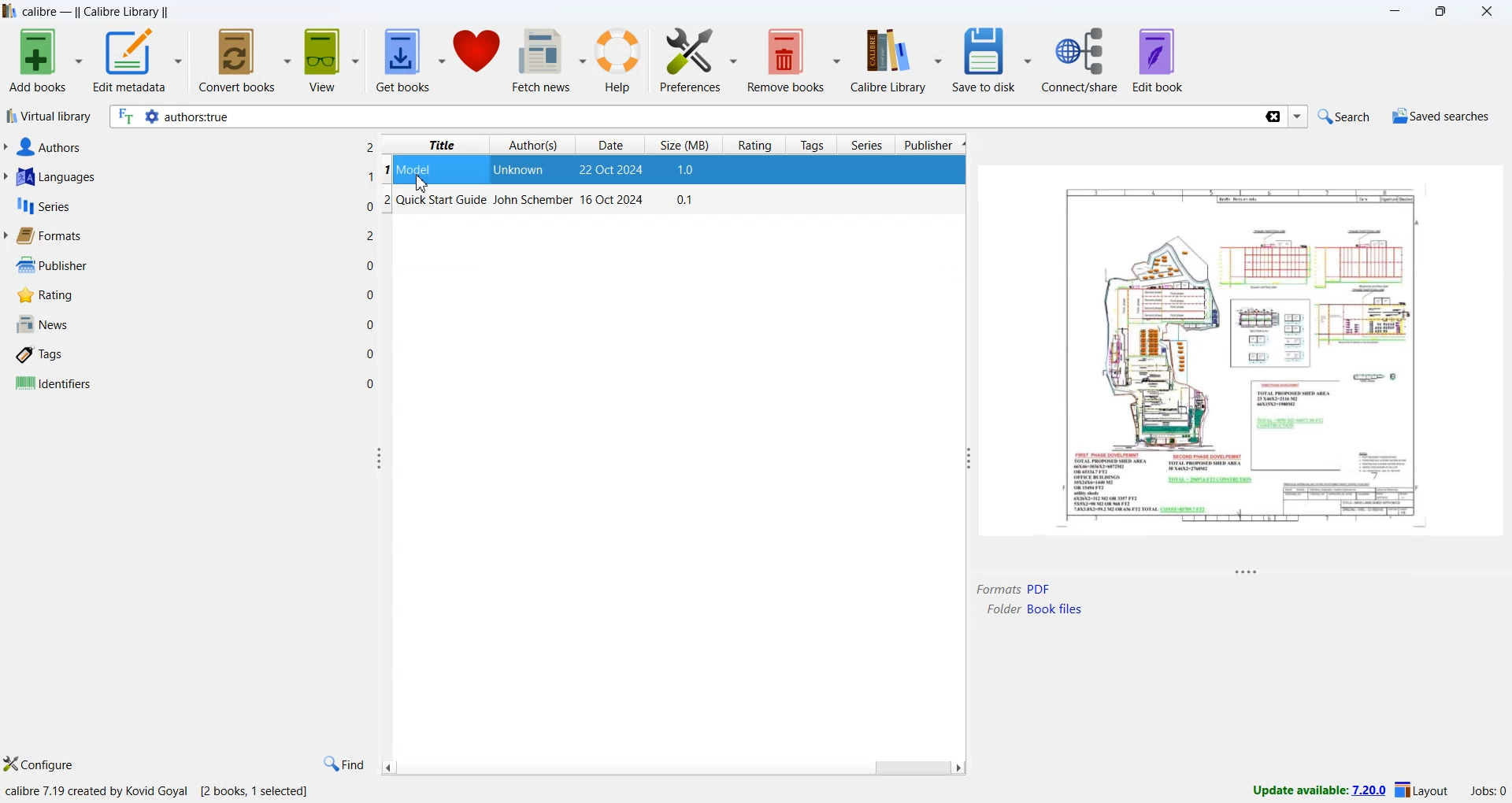 Image resolution: width=1512 pixels, height=803 pixels. Describe the element at coordinates (686, 143) in the screenshot. I see `size` at that location.